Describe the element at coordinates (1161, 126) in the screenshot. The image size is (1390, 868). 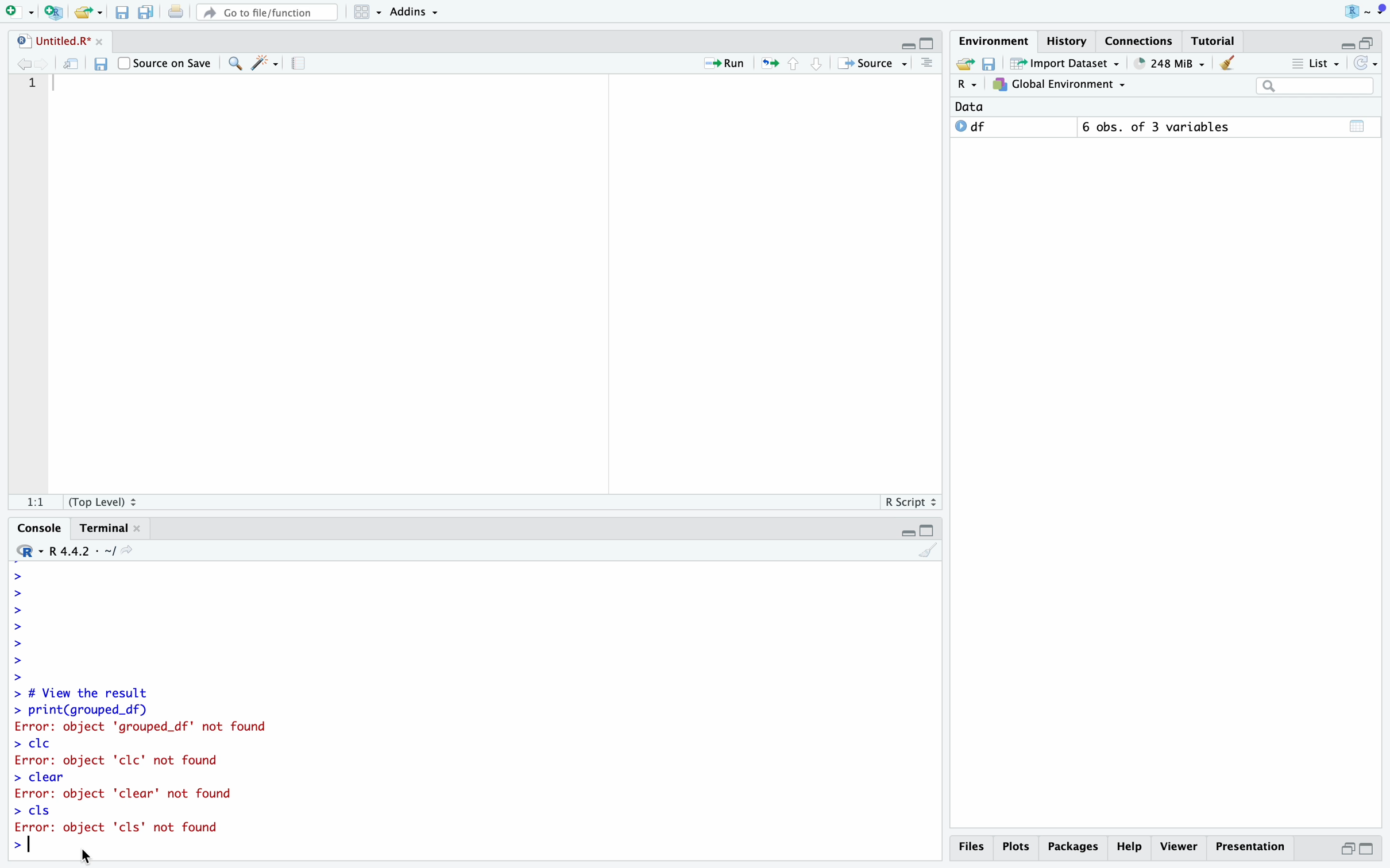
I see `6 obs. of 3 variables` at that location.